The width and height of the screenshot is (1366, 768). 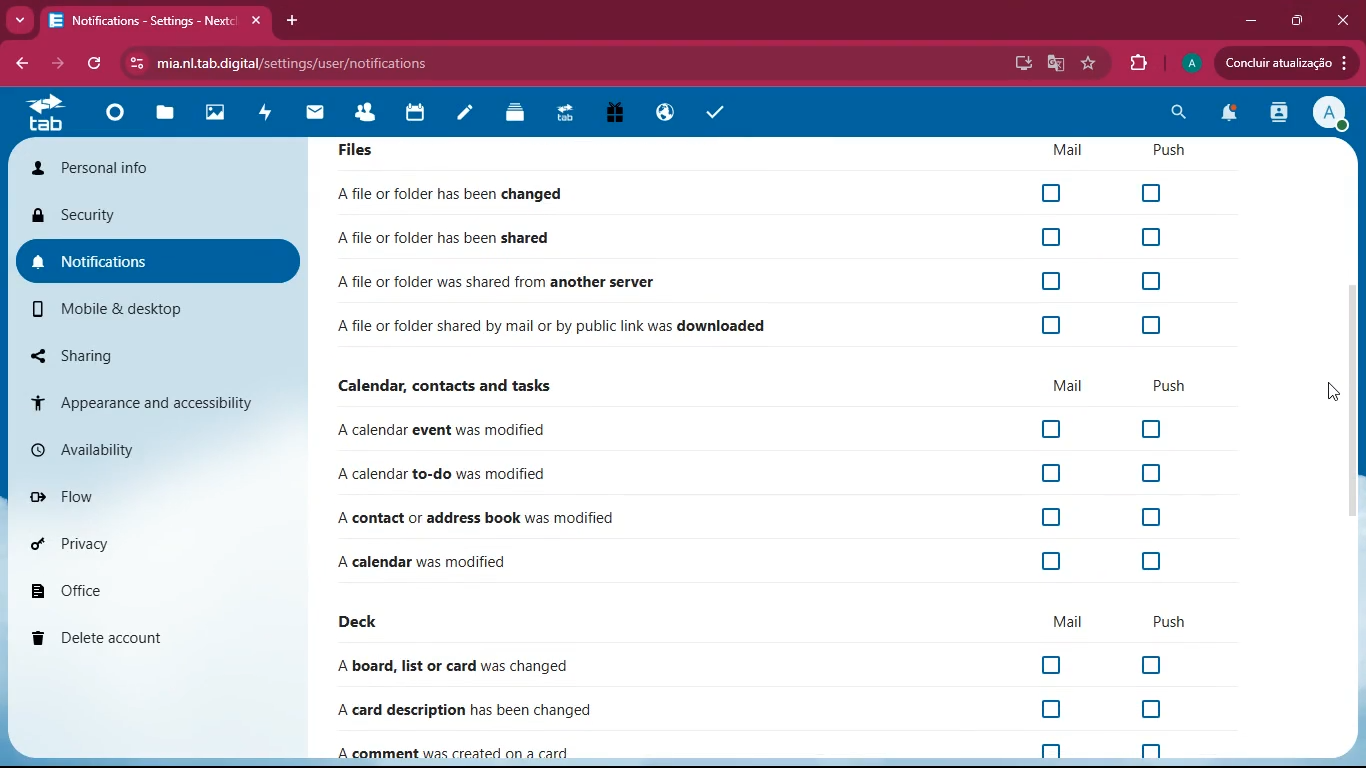 What do you see at coordinates (1155, 561) in the screenshot?
I see `off` at bounding box center [1155, 561].